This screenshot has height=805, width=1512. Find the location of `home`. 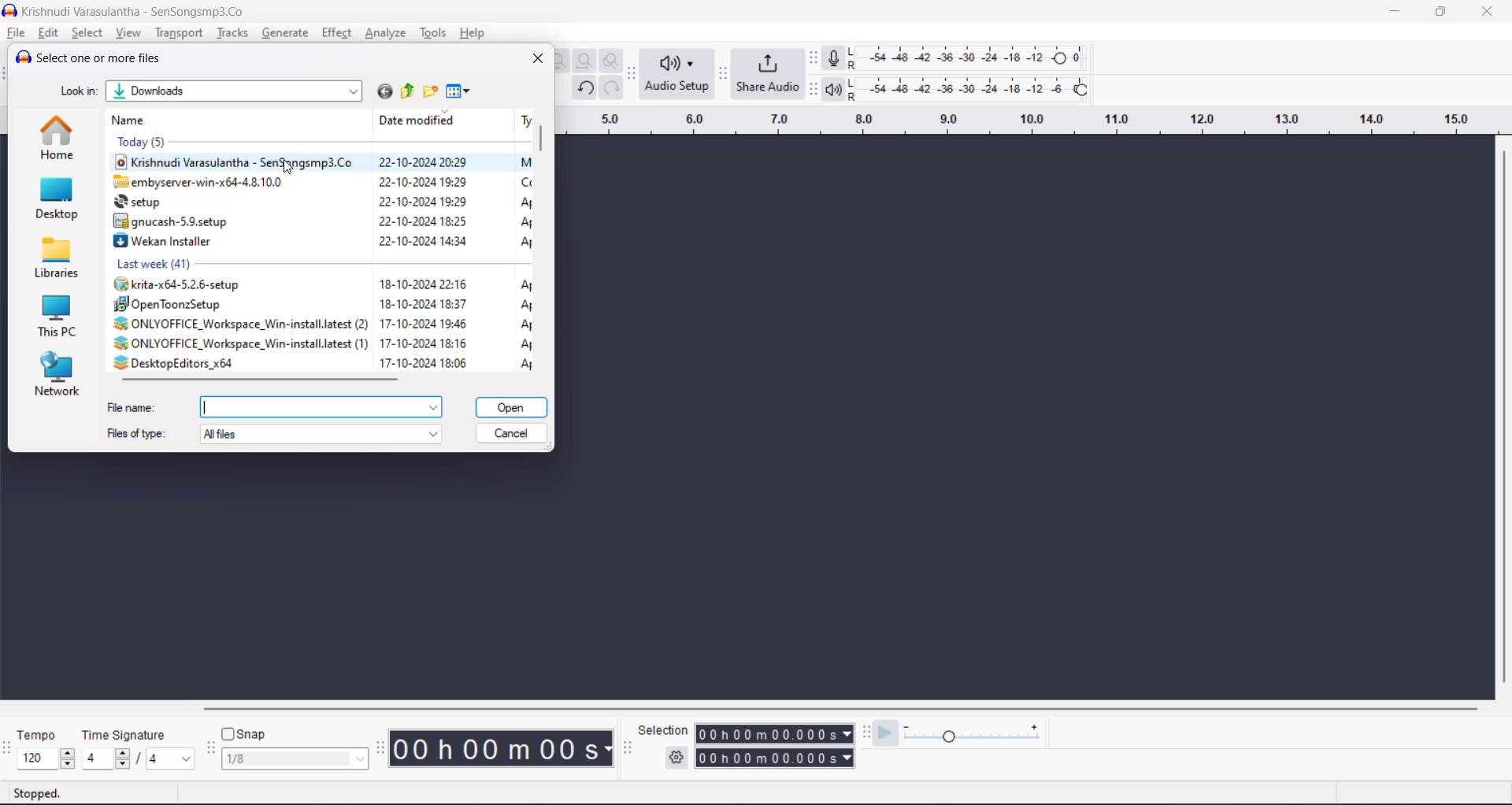

home is located at coordinates (56, 139).